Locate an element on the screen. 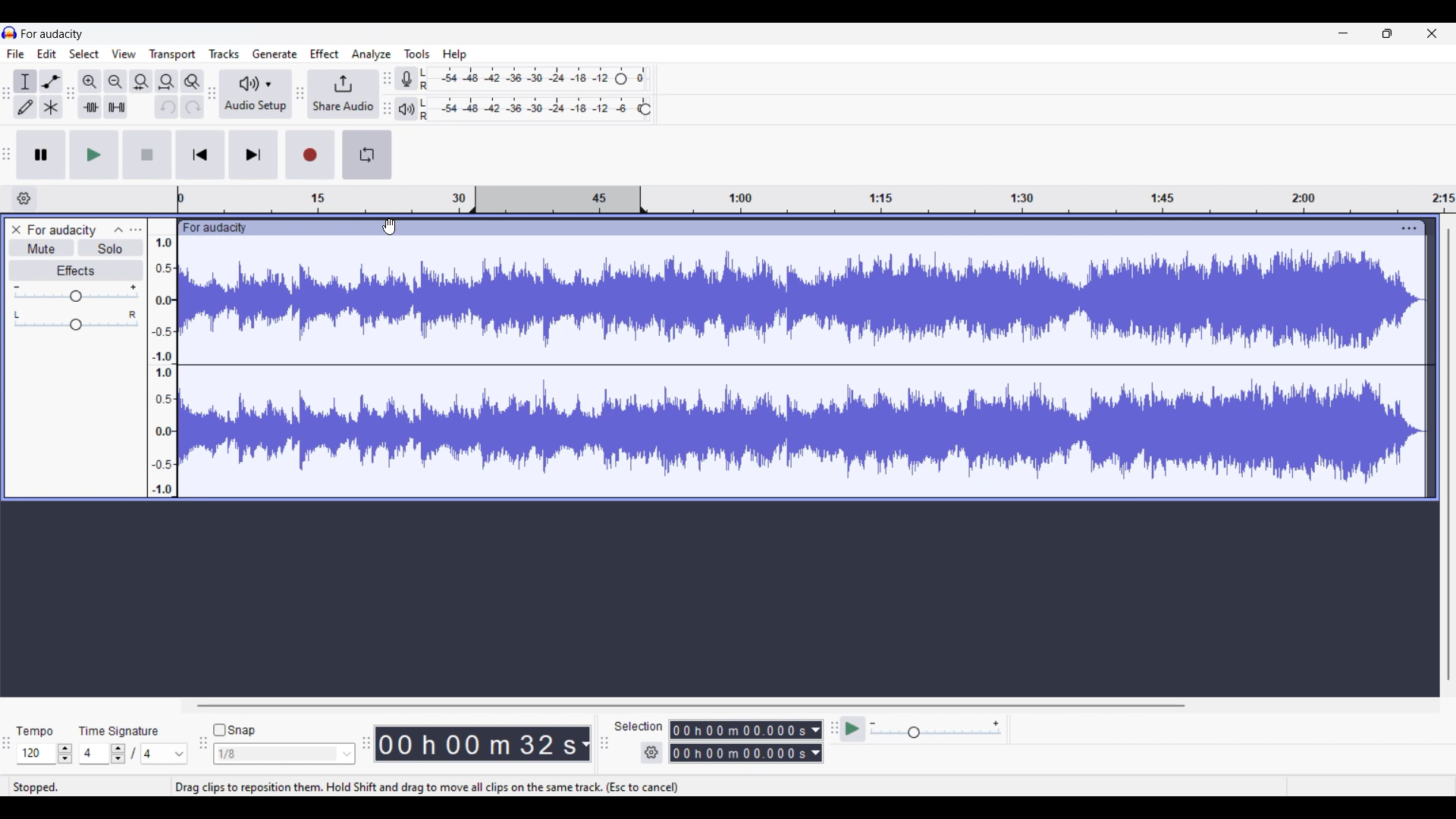 This screenshot has width=1456, height=819. Selection duration tracker is located at coordinates (739, 753).